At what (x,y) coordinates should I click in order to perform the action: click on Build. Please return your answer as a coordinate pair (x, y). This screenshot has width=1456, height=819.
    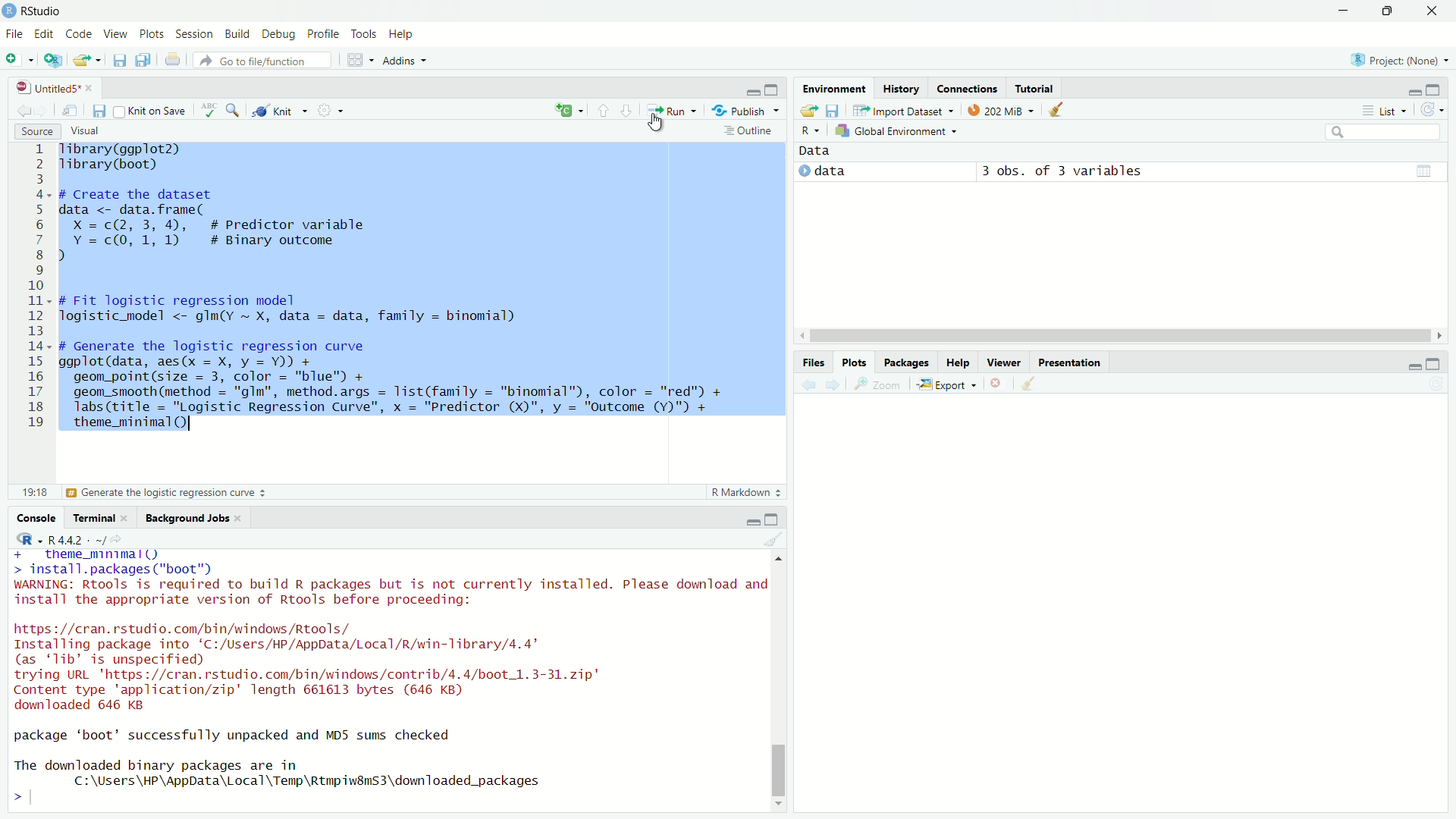
    Looking at the image, I should click on (237, 33).